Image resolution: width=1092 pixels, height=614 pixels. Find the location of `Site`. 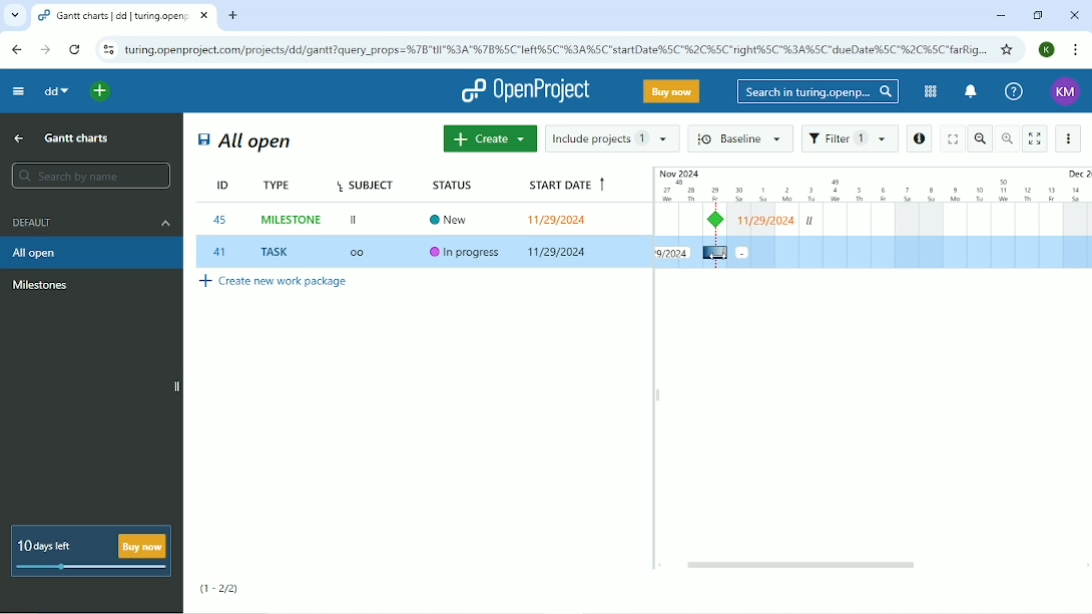

Site is located at coordinates (557, 49).